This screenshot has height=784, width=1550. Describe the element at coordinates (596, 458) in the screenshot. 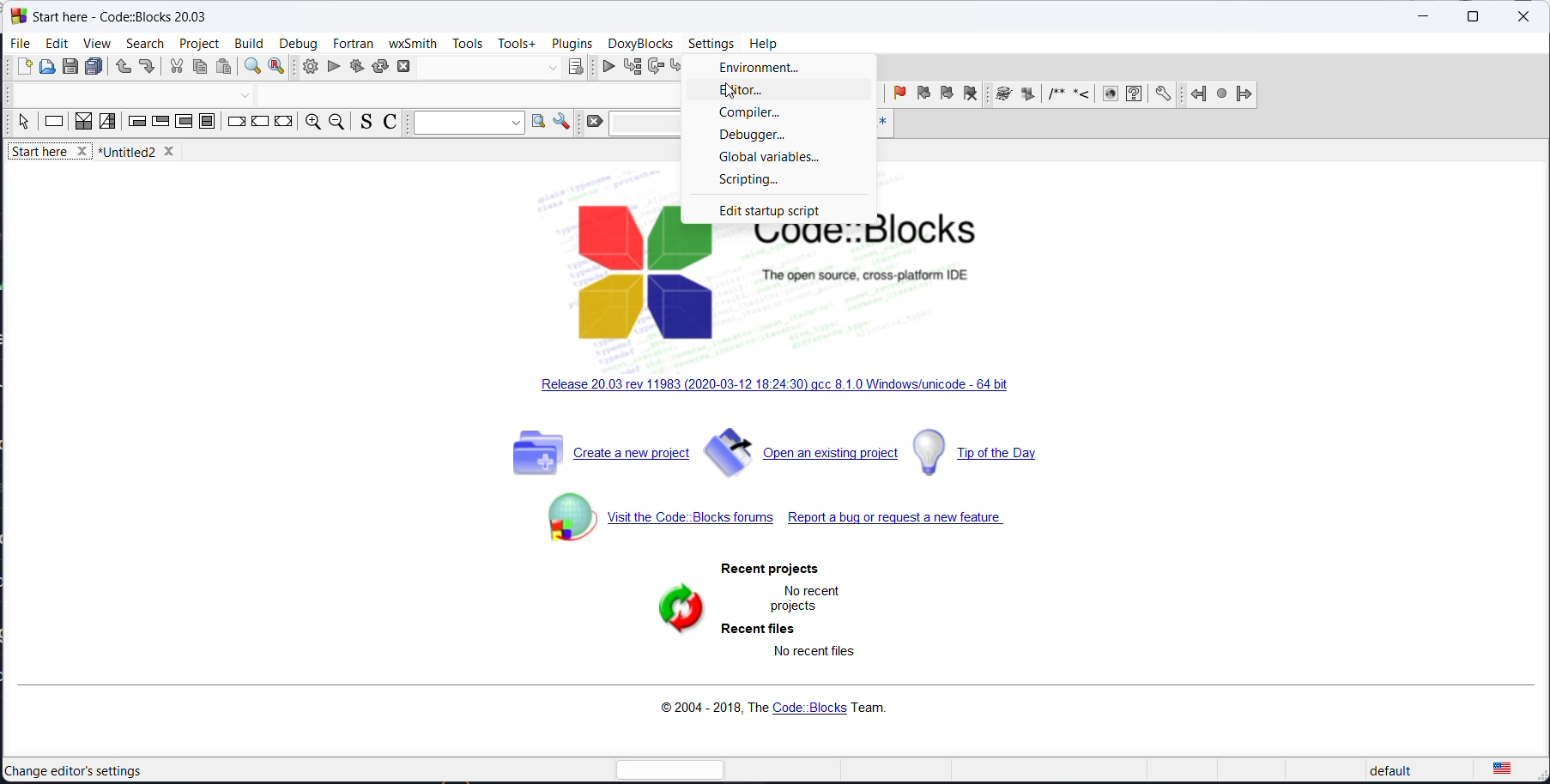

I see `create new project` at that location.